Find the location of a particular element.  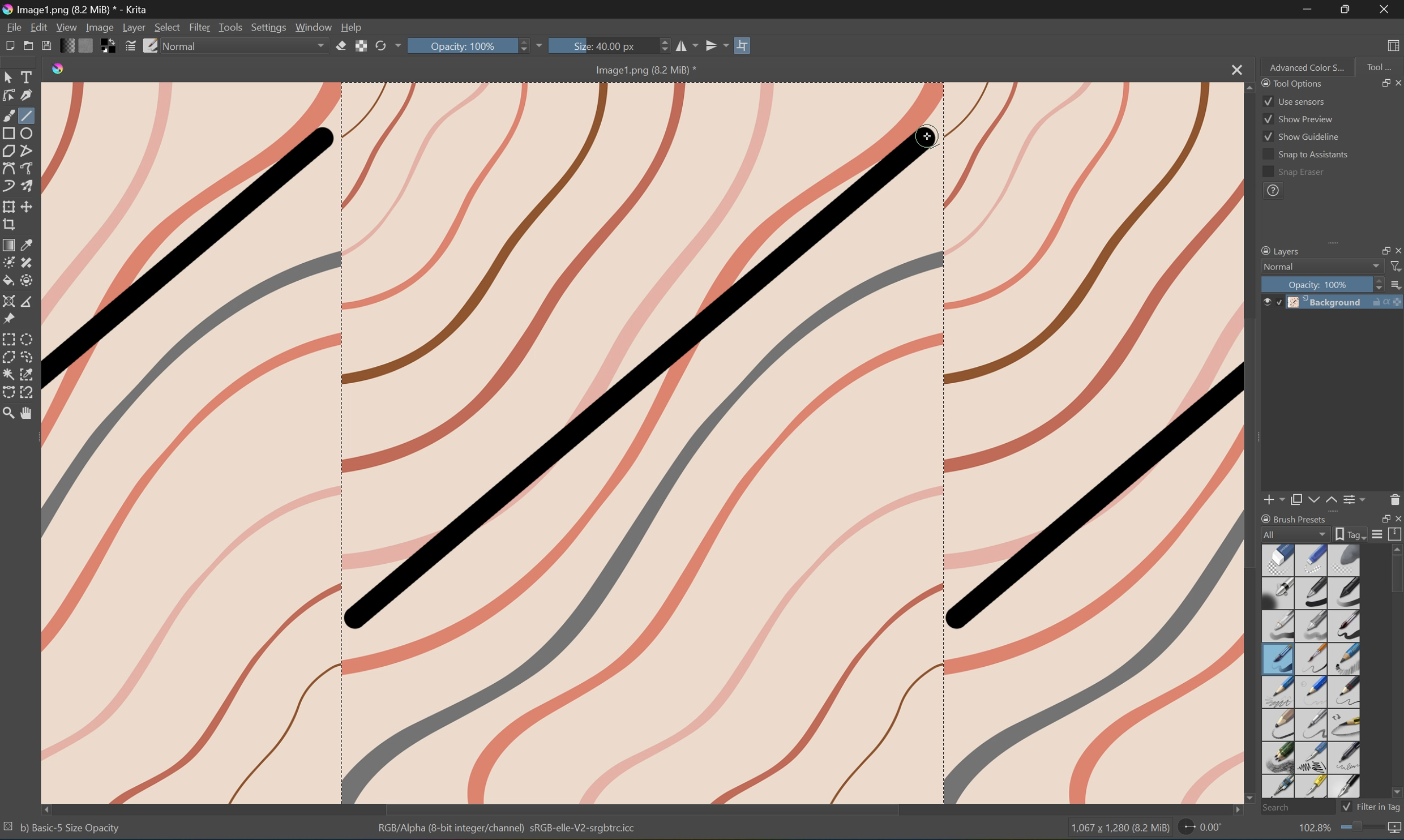

Drop Down is located at coordinates (397, 46).